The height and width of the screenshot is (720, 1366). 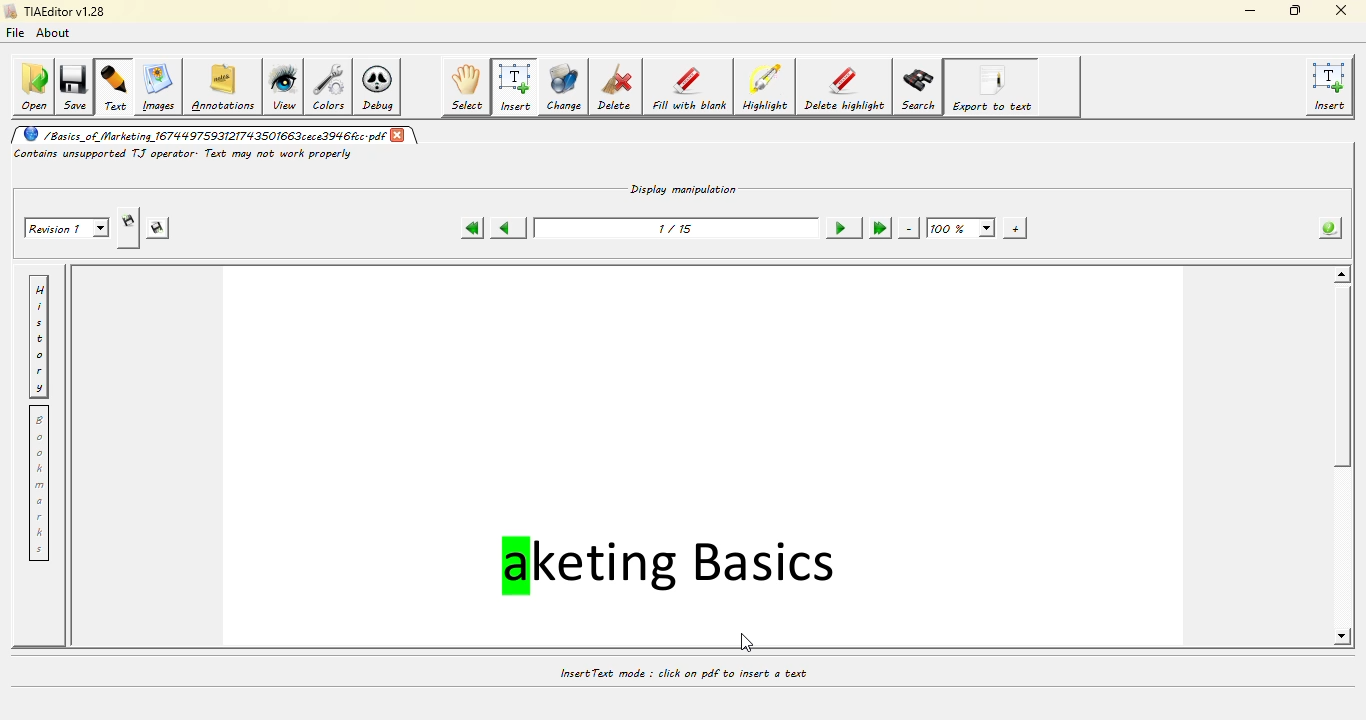 I want to click on previous page, so click(x=506, y=226).